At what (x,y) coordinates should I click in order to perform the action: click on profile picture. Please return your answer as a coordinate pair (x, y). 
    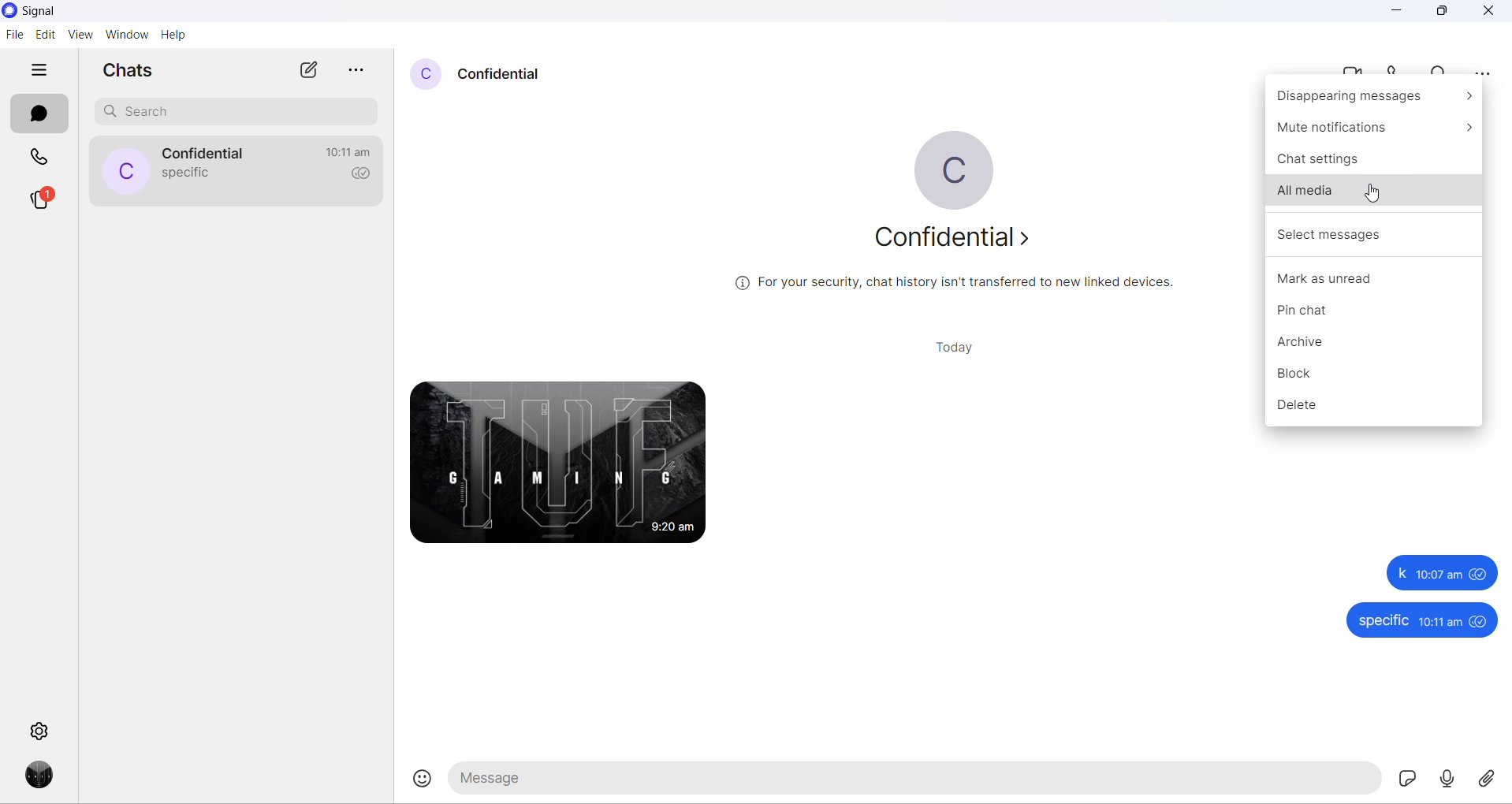
    Looking at the image, I should click on (952, 166).